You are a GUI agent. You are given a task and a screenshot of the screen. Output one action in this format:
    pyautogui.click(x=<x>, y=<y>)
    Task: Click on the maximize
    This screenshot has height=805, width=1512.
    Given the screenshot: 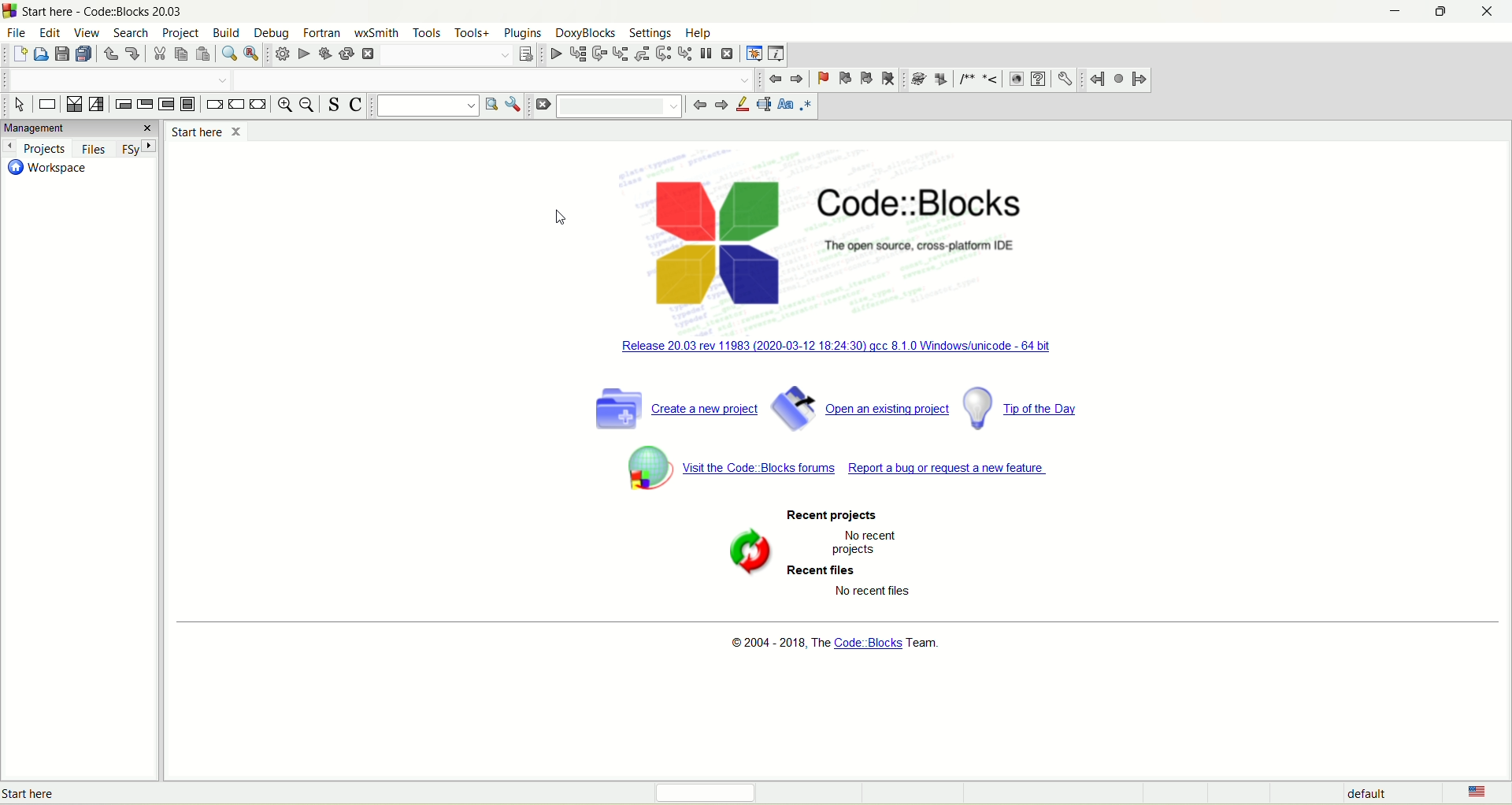 What is the action you would take?
    pyautogui.click(x=1440, y=13)
    